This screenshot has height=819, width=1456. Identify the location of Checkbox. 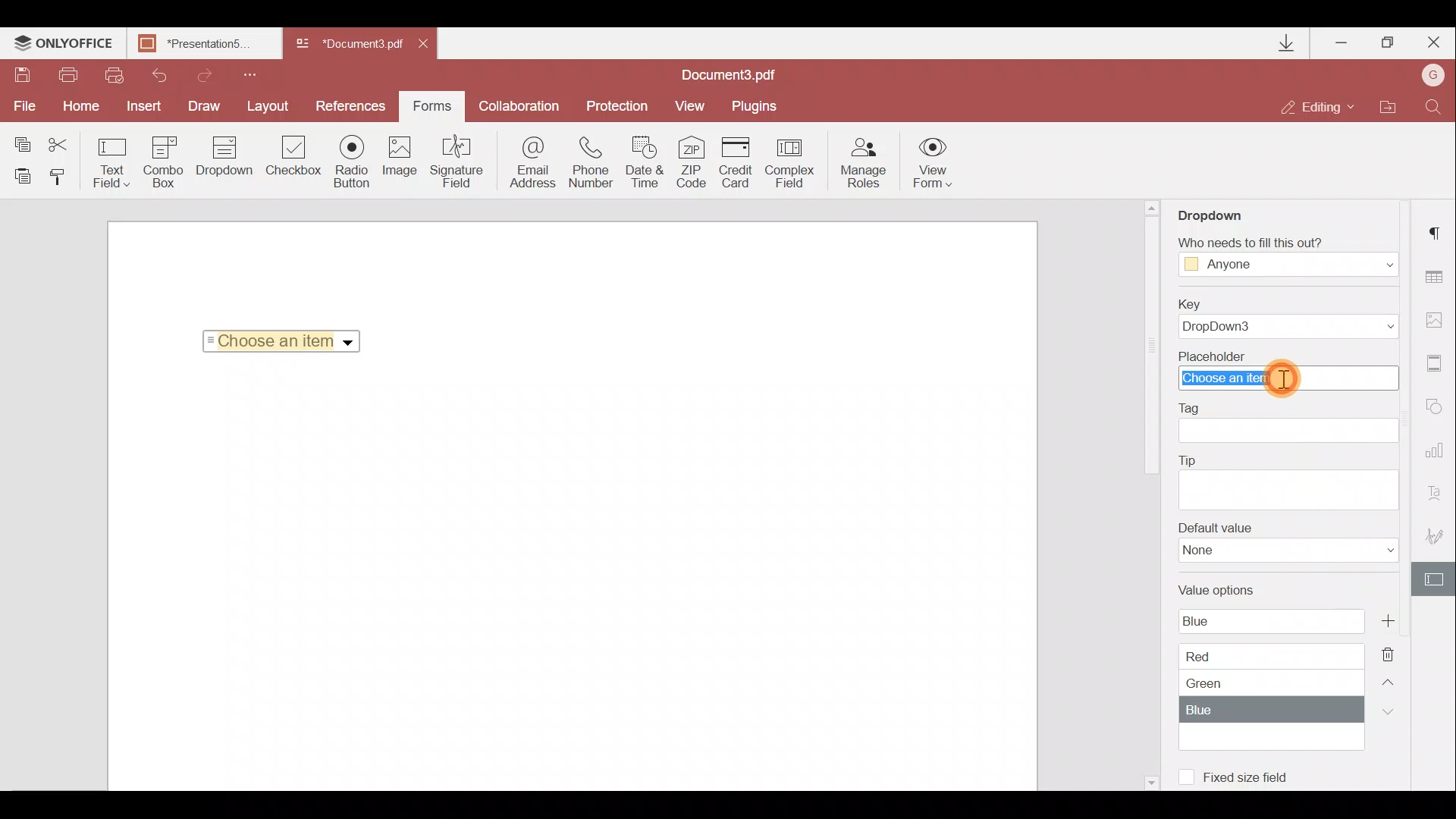
(294, 157).